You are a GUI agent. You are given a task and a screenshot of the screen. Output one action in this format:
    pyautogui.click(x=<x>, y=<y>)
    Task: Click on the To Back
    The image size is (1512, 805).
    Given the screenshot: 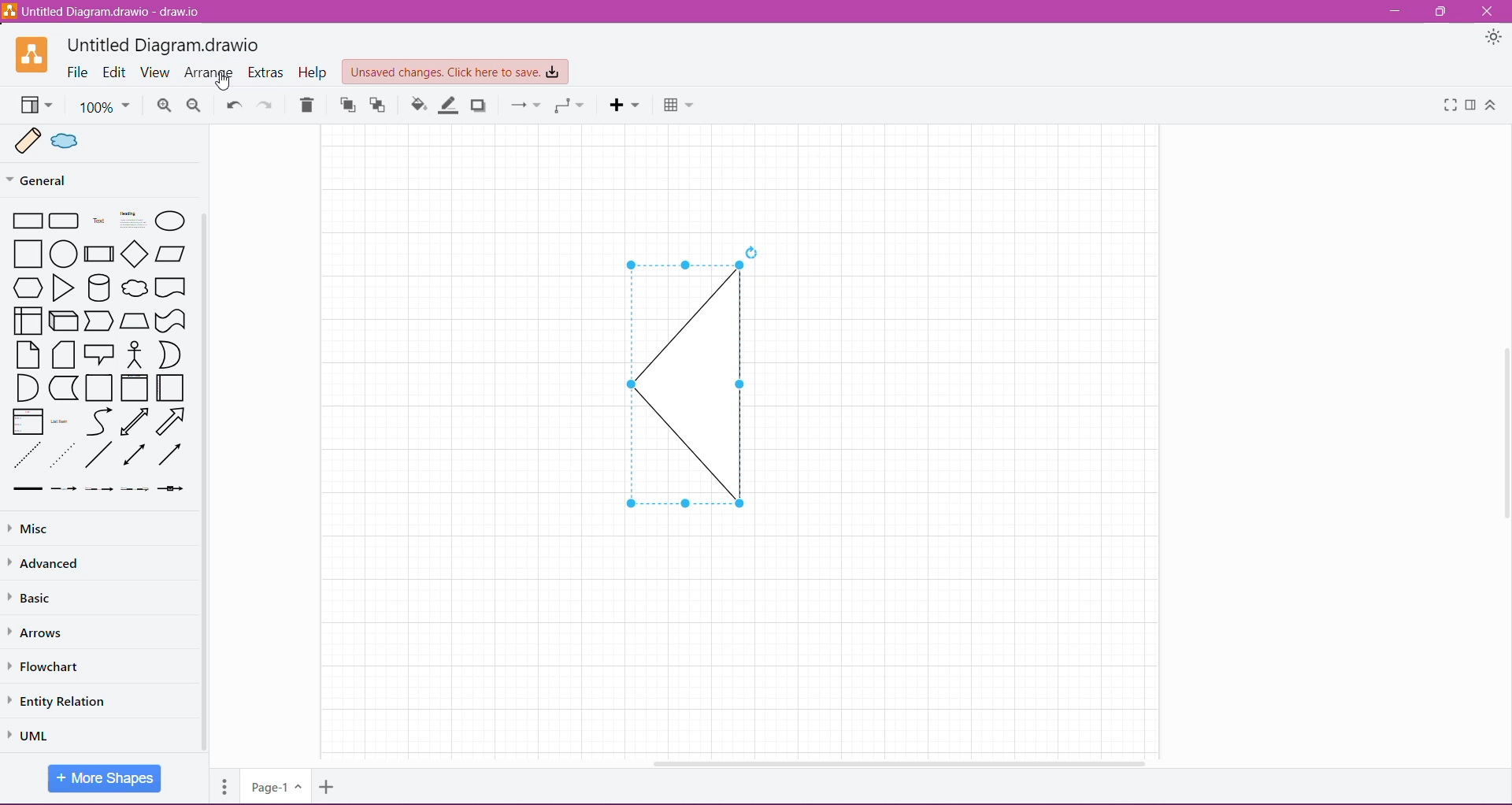 What is the action you would take?
    pyautogui.click(x=378, y=106)
    